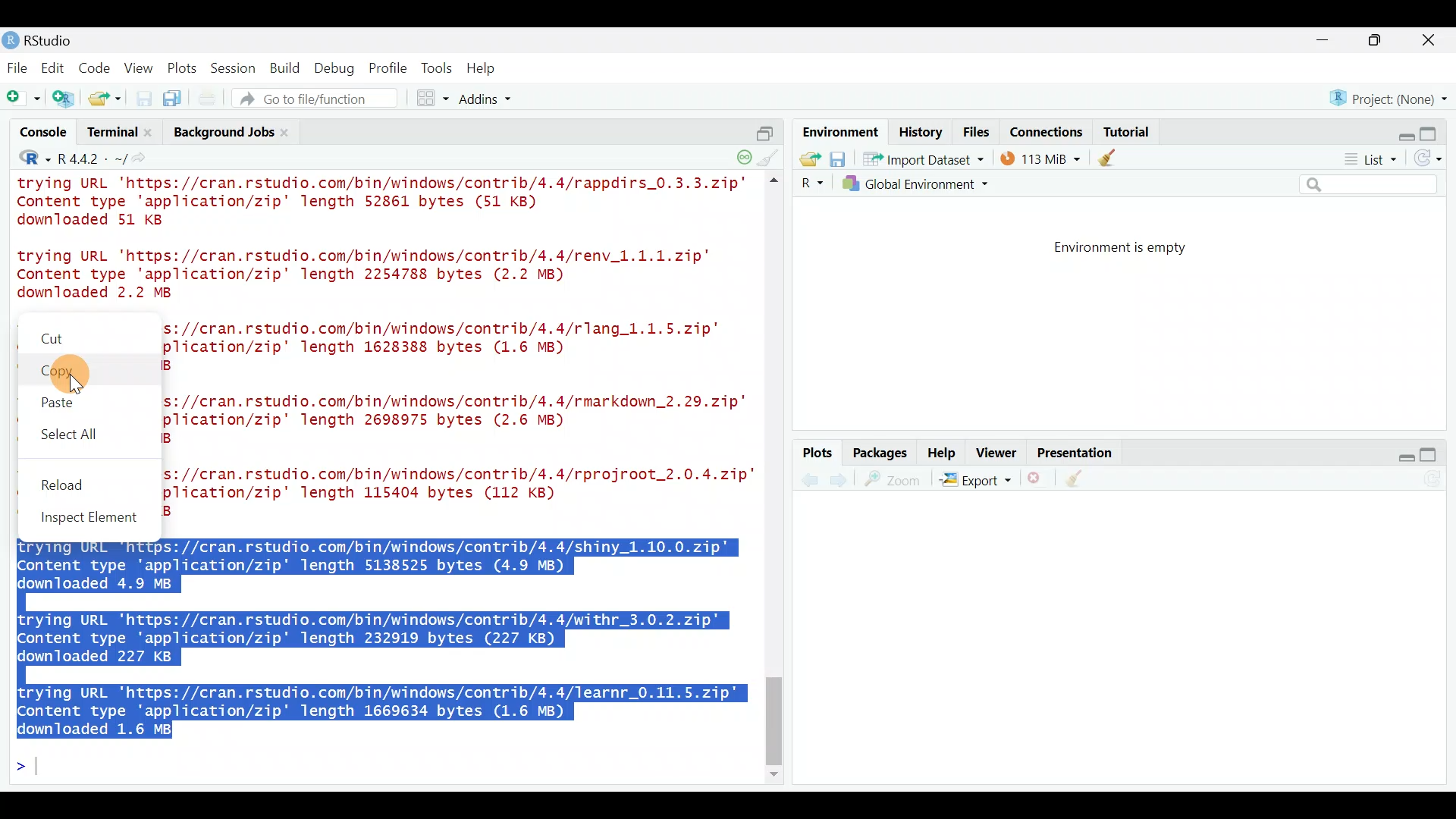 The width and height of the screenshot is (1456, 819). I want to click on Search bar, so click(1371, 185).